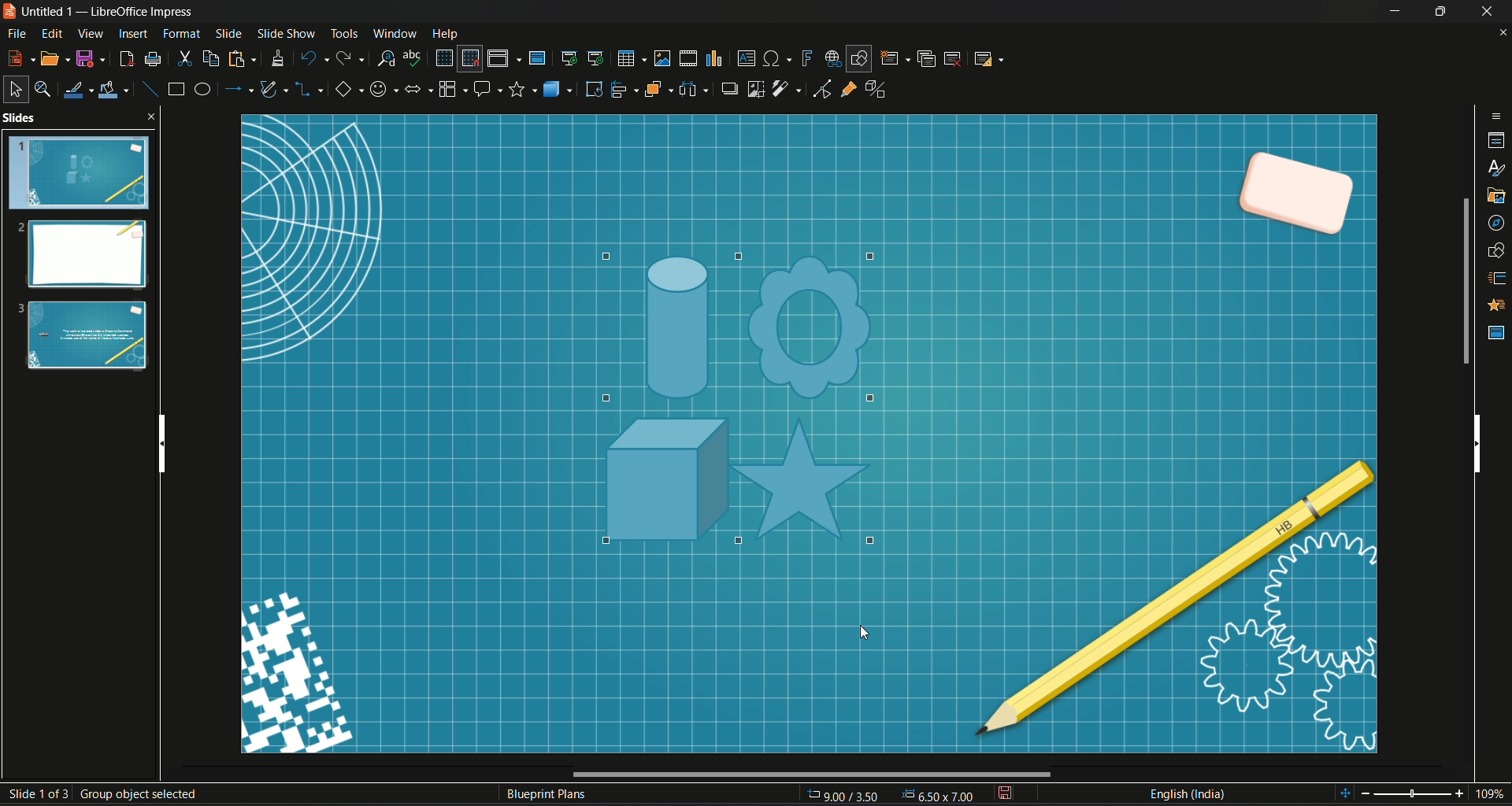 The width and height of the screenshot is (1512, 806). What do you see at coordinates (892, 796) in the screenshot?
I see `Page Dimensions` at bounding box center [892, 796].